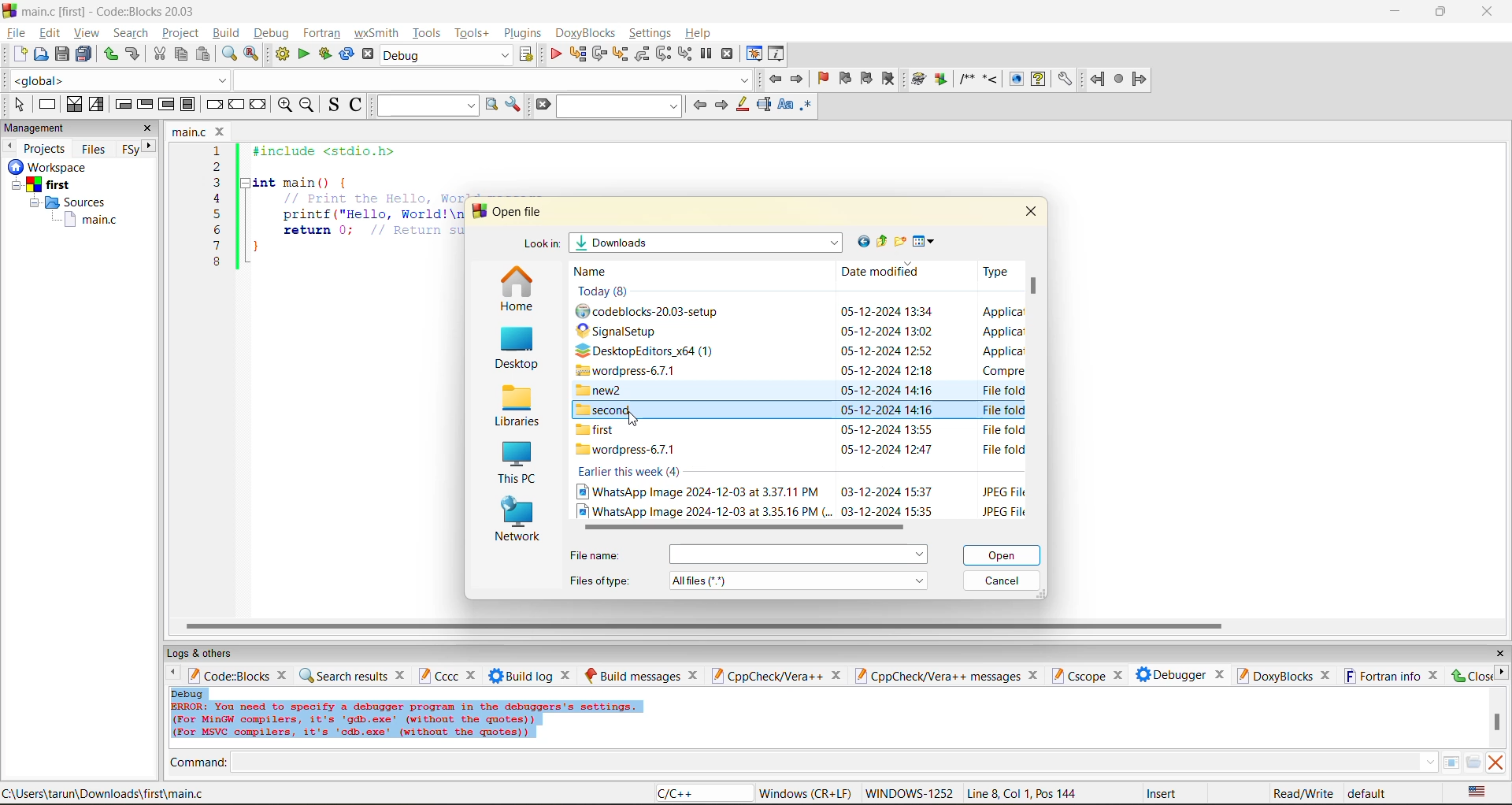 This screenshot has height=805, width=1512. I want to click on close , so click(1489, 12).